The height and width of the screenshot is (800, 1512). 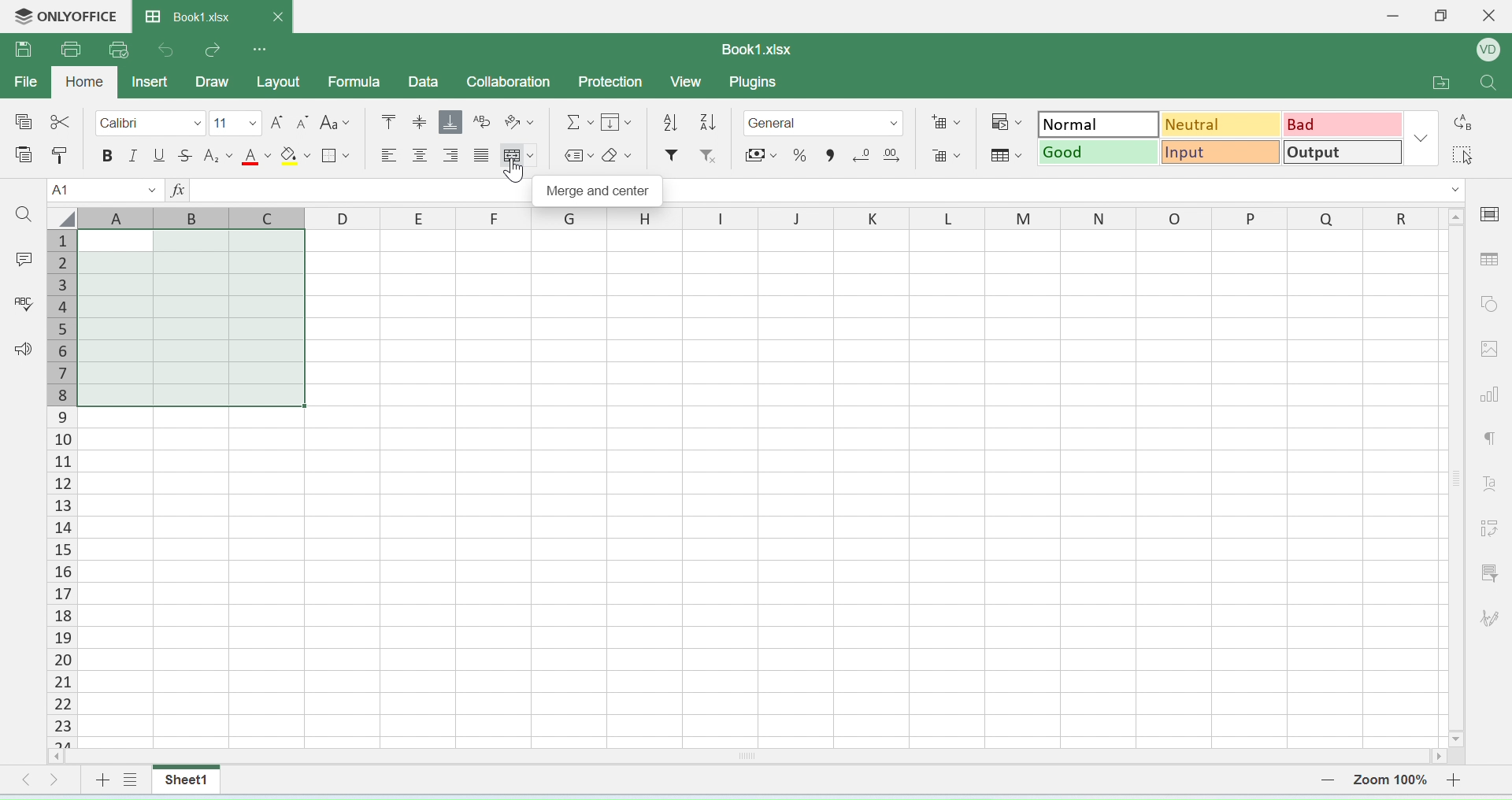 I want to click on select, so click(x=1464, y=155).